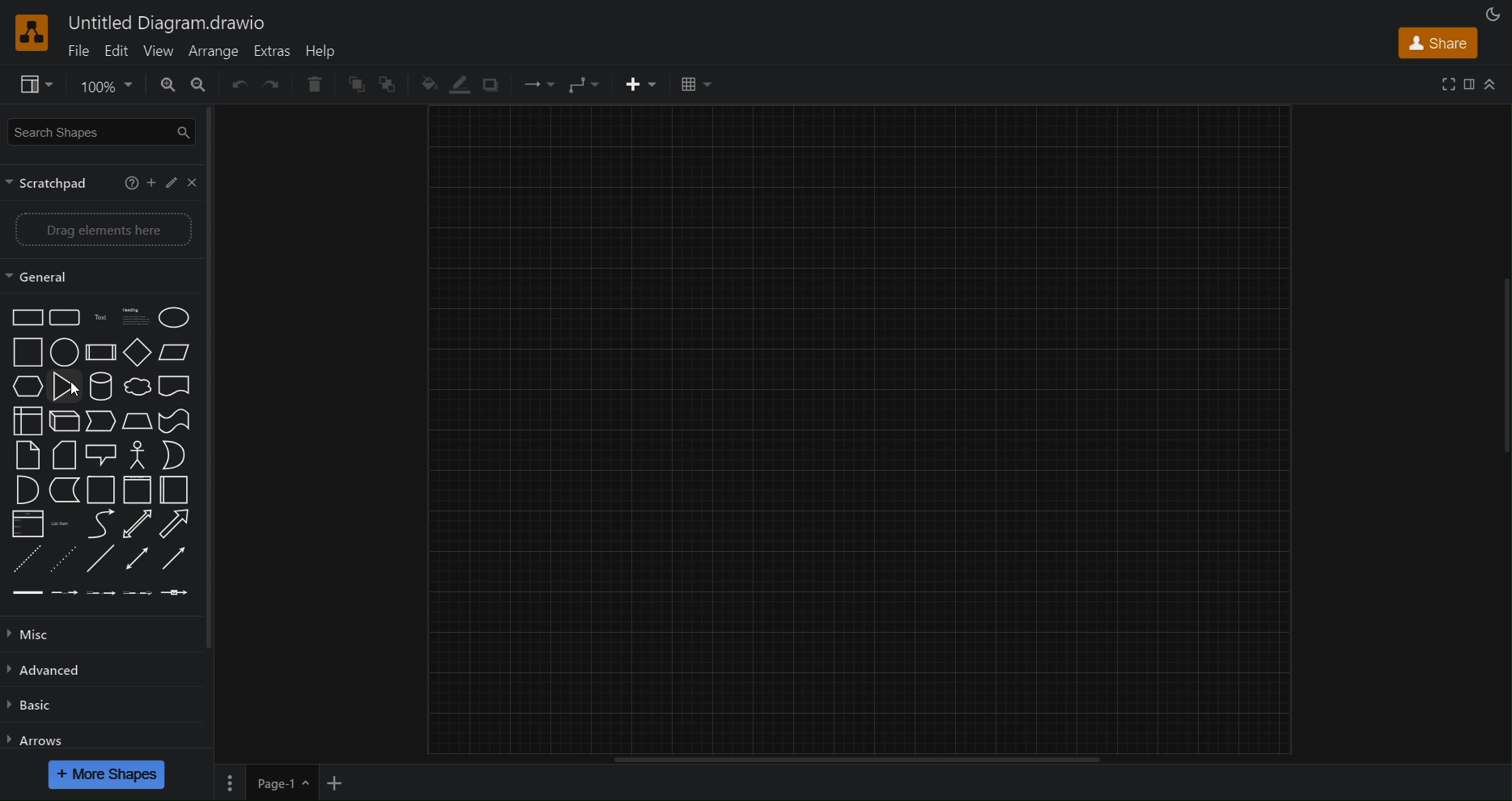 The width and height of the screenshot is (1512, 801). Describe the element at coordinates (1489, 85) in the screenshot. I see `Collapse` at that location.